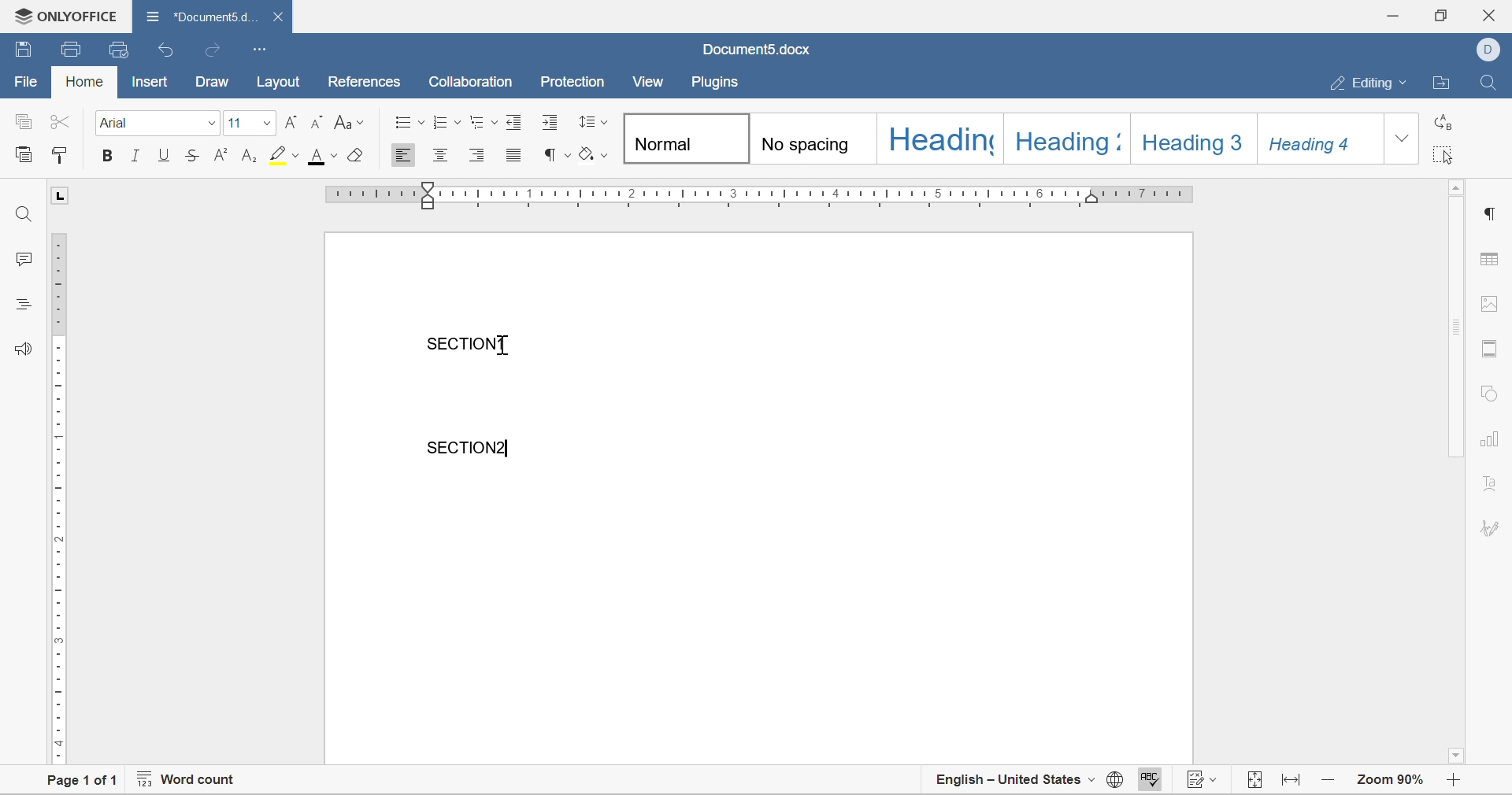 The height and width of the screenshot is (795, 1512). What do you see at coordinates (517, 120) in the screenshot?
I see `Decrease indent` at bounding box center [517, 120].